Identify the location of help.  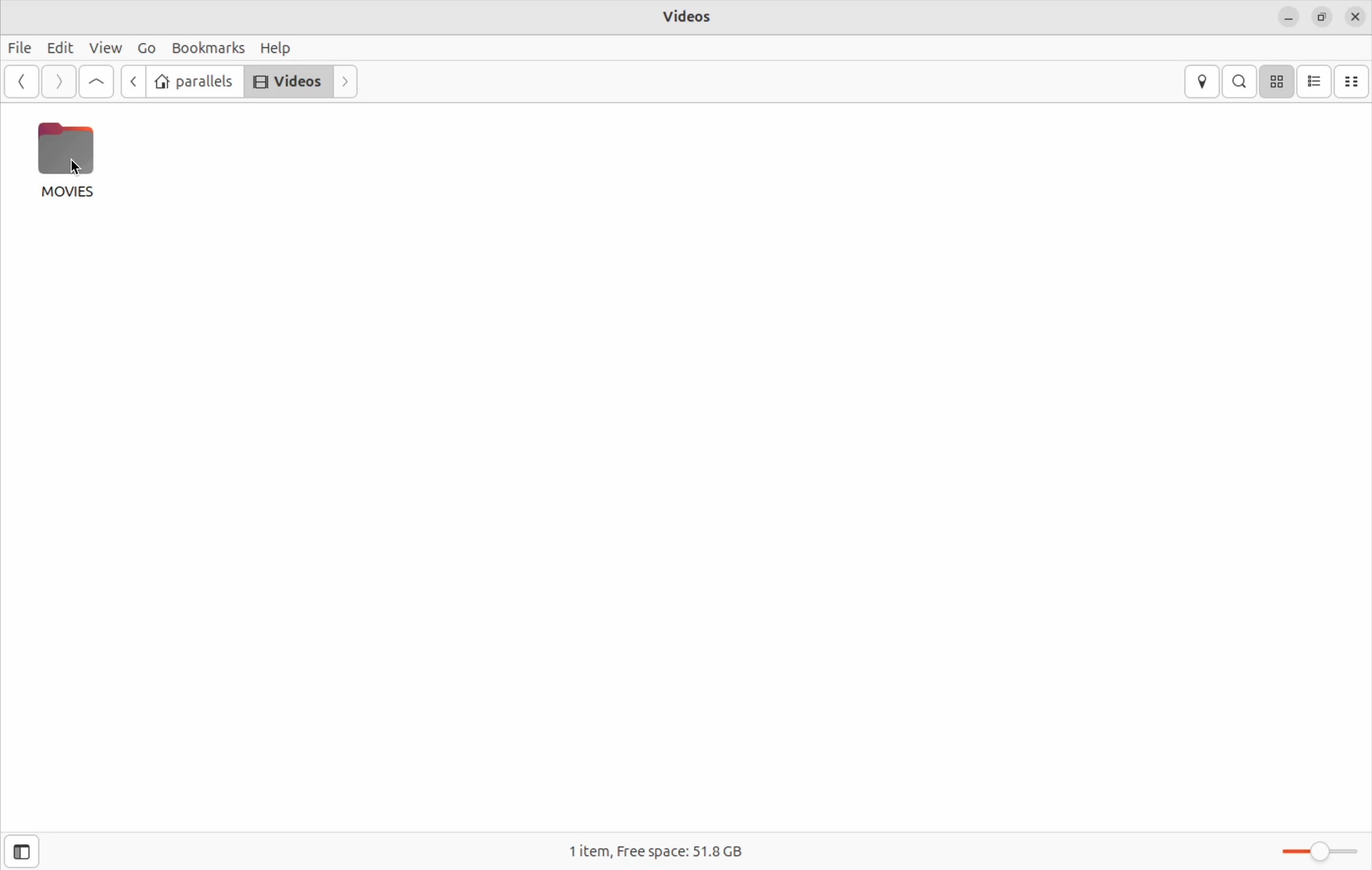
(279, 48).